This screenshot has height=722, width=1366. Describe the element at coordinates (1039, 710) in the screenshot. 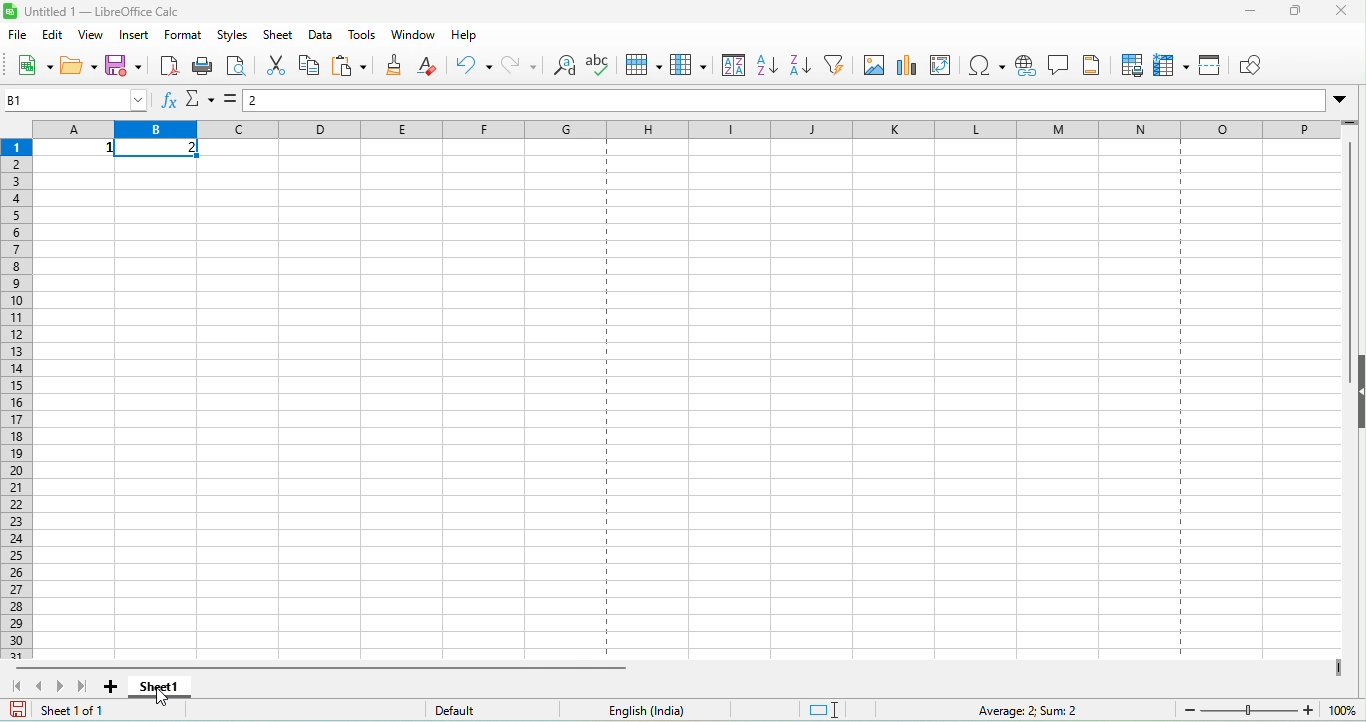

I see `average 2, sum 2` at that location.